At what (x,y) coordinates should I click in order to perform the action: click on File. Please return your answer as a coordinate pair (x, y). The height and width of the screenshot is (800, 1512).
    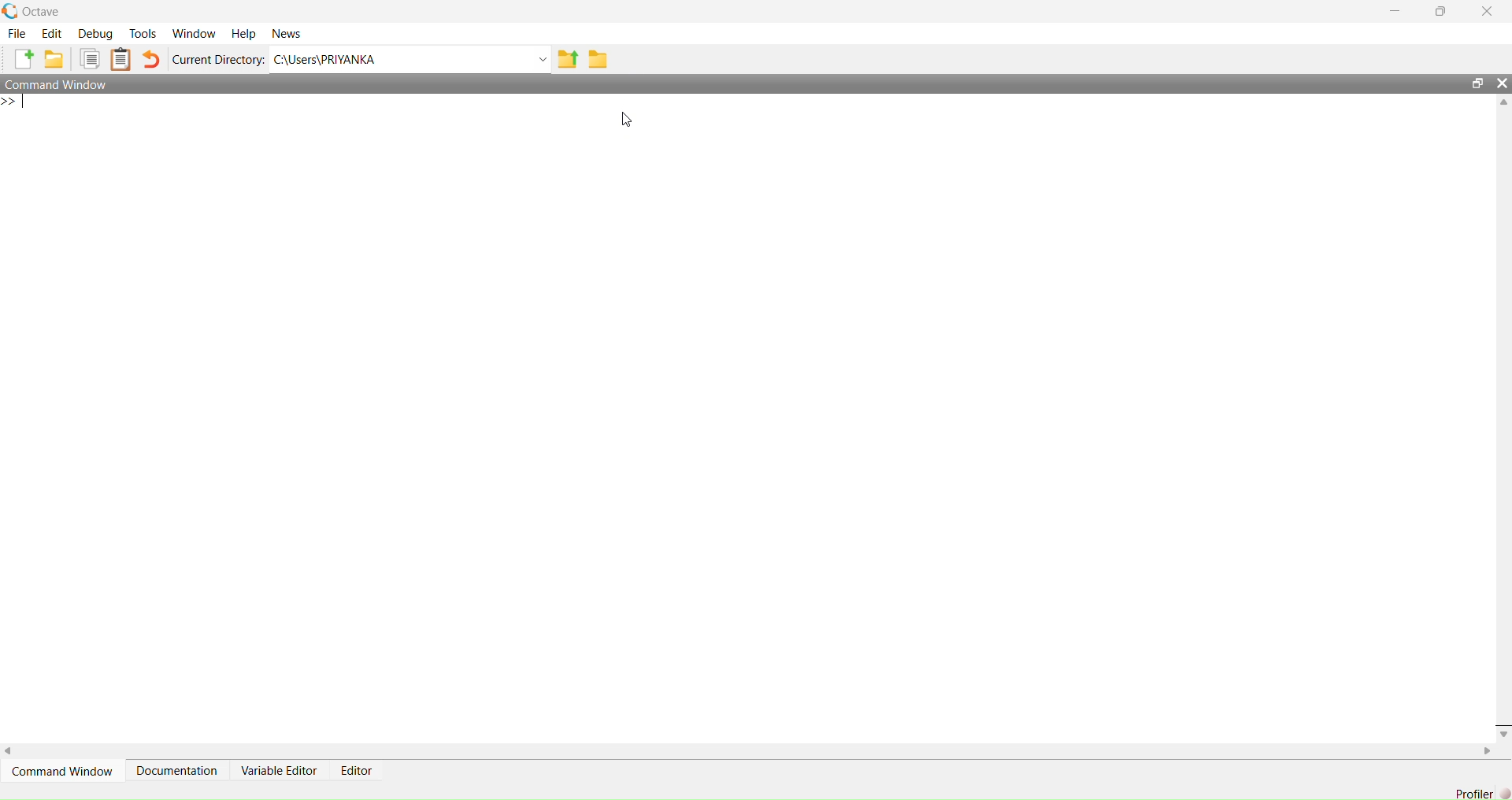
    Looking at the image, I should click on (17, 35).